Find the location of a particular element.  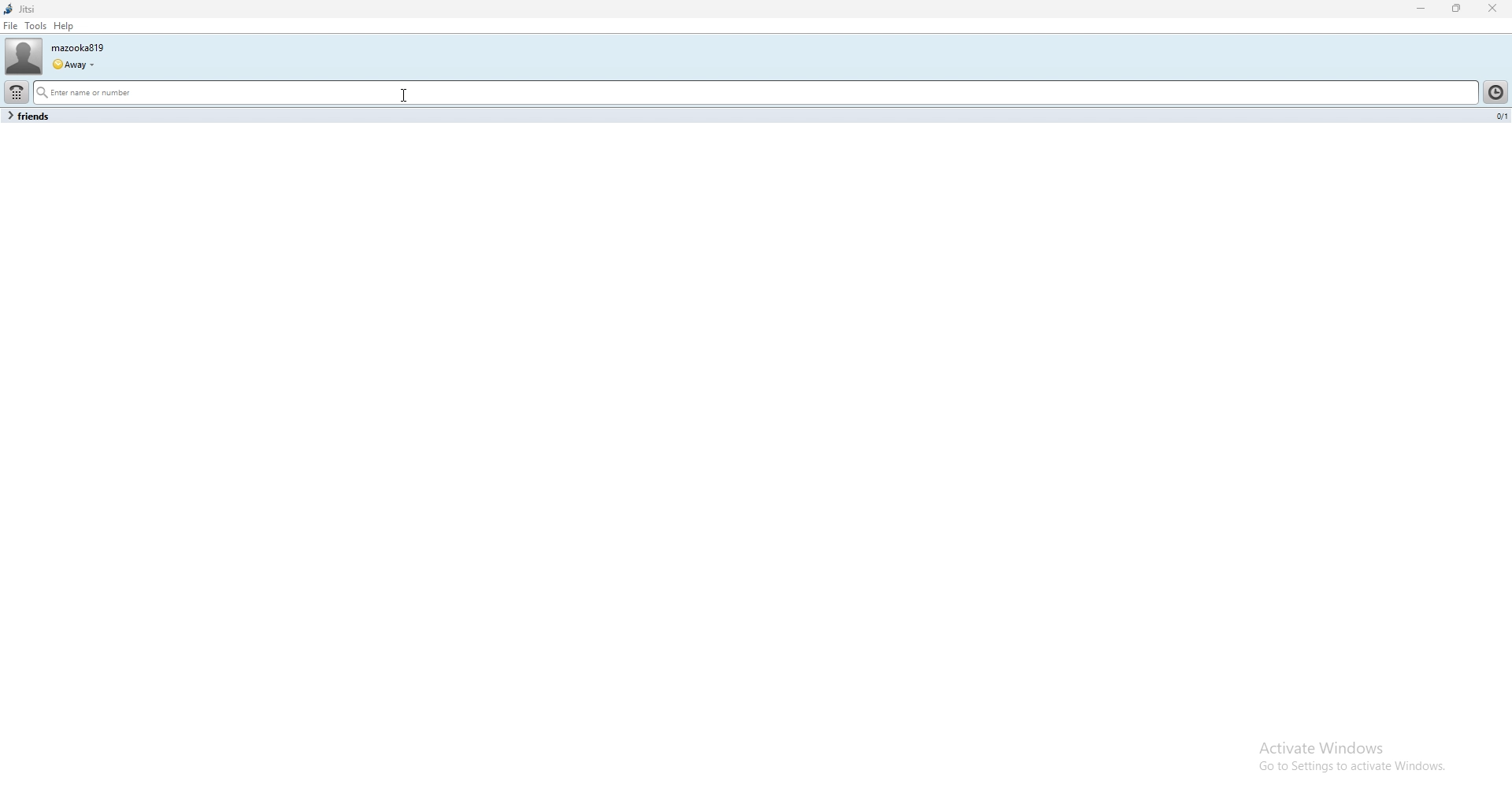

user photo is located at coordinates (21, 56).